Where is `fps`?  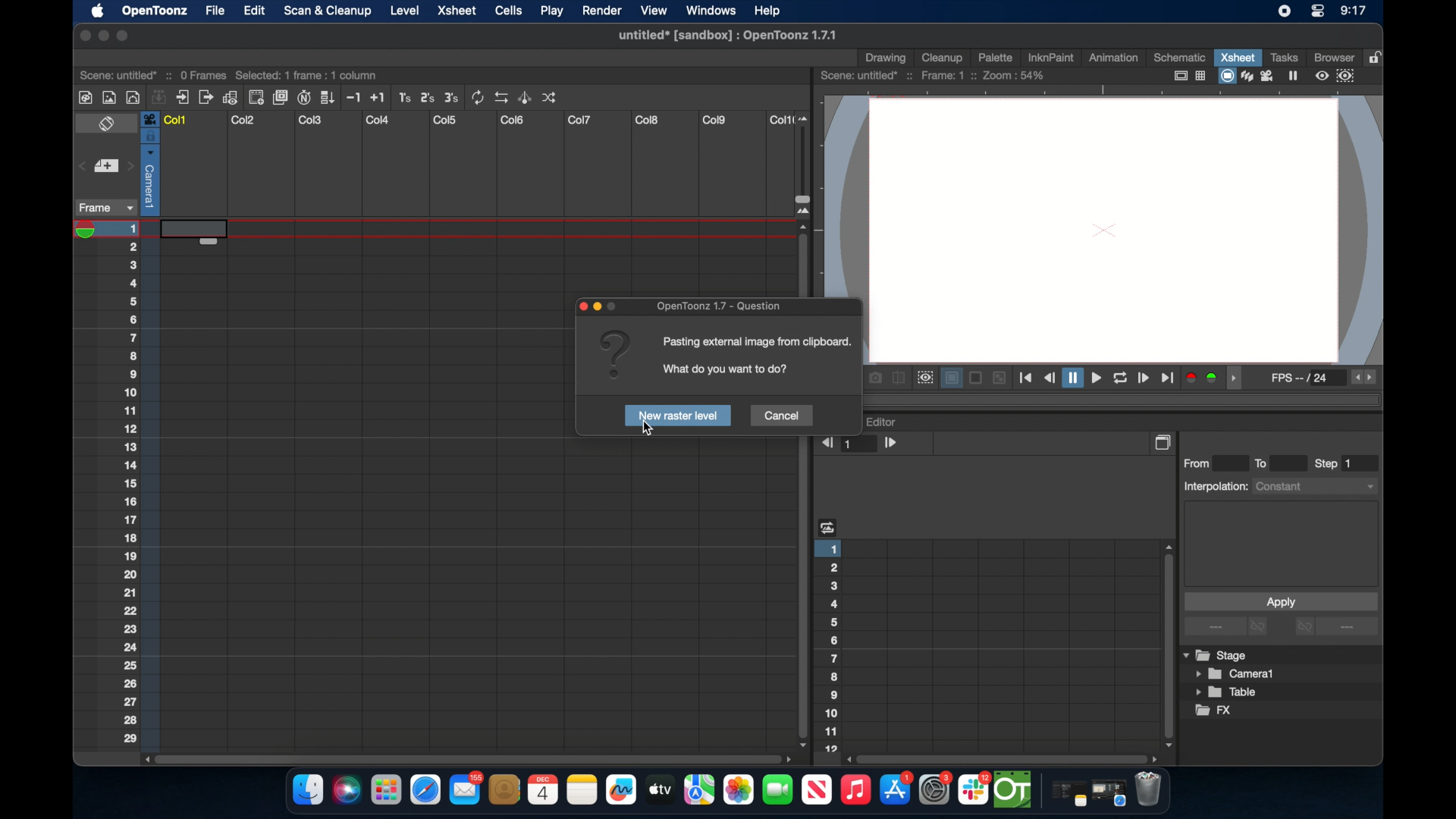
fps is located at coordinates (1301, 381).